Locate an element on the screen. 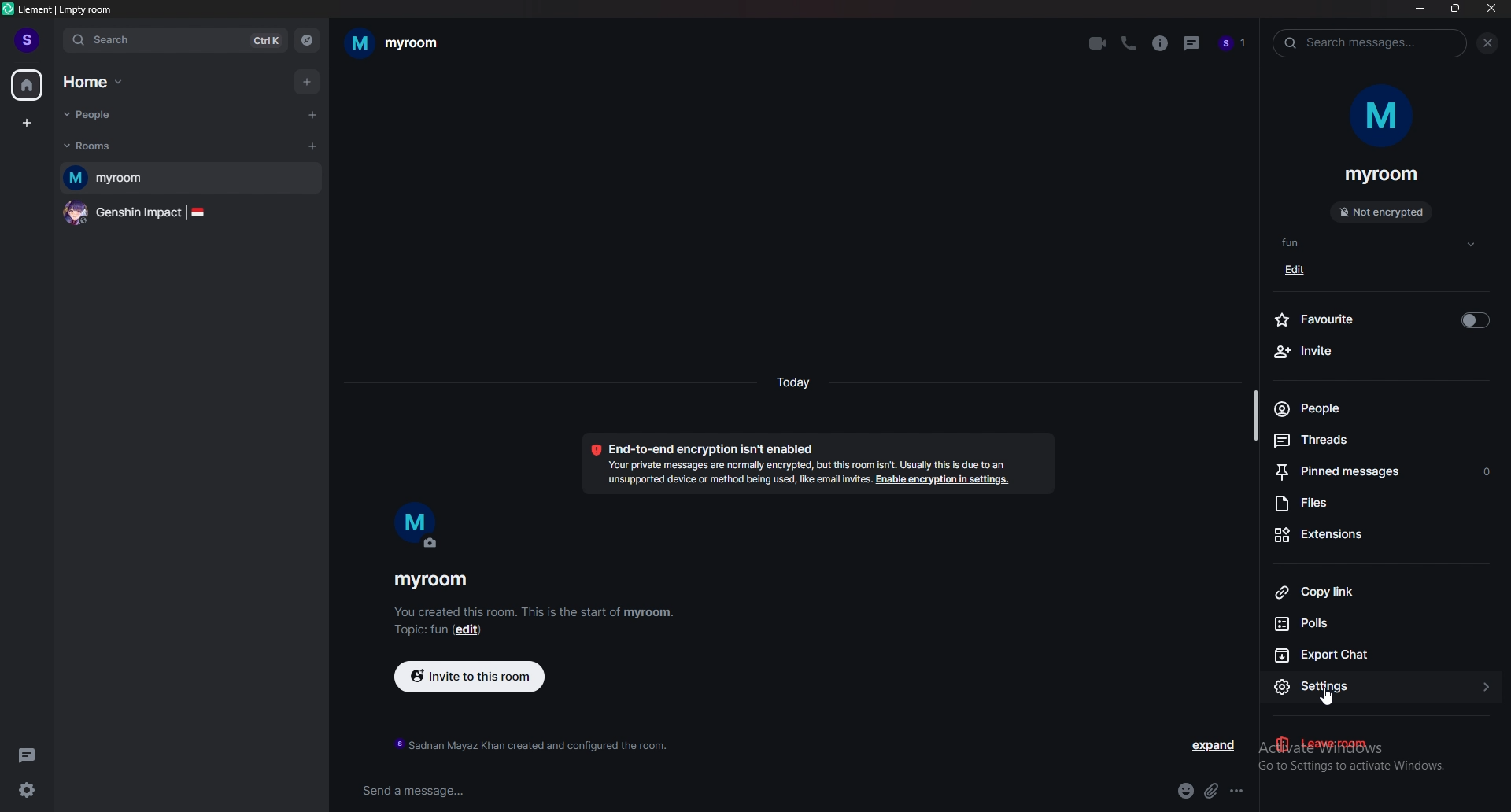  settings is located at coordinates (1290, 688).